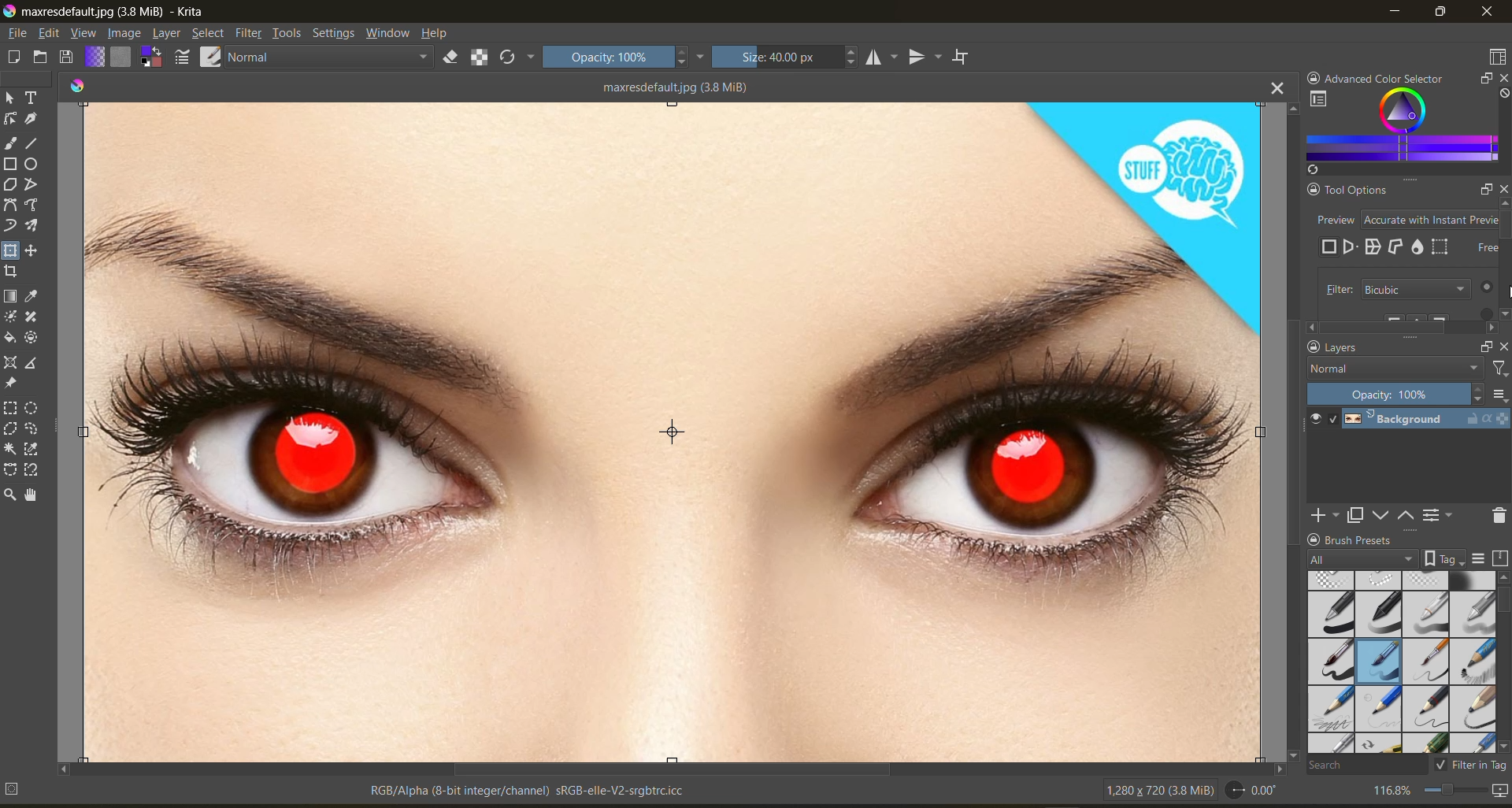 The height and width of the screenshot is (808, 1512). I want to click on delete the layer, so click(1496, 516).